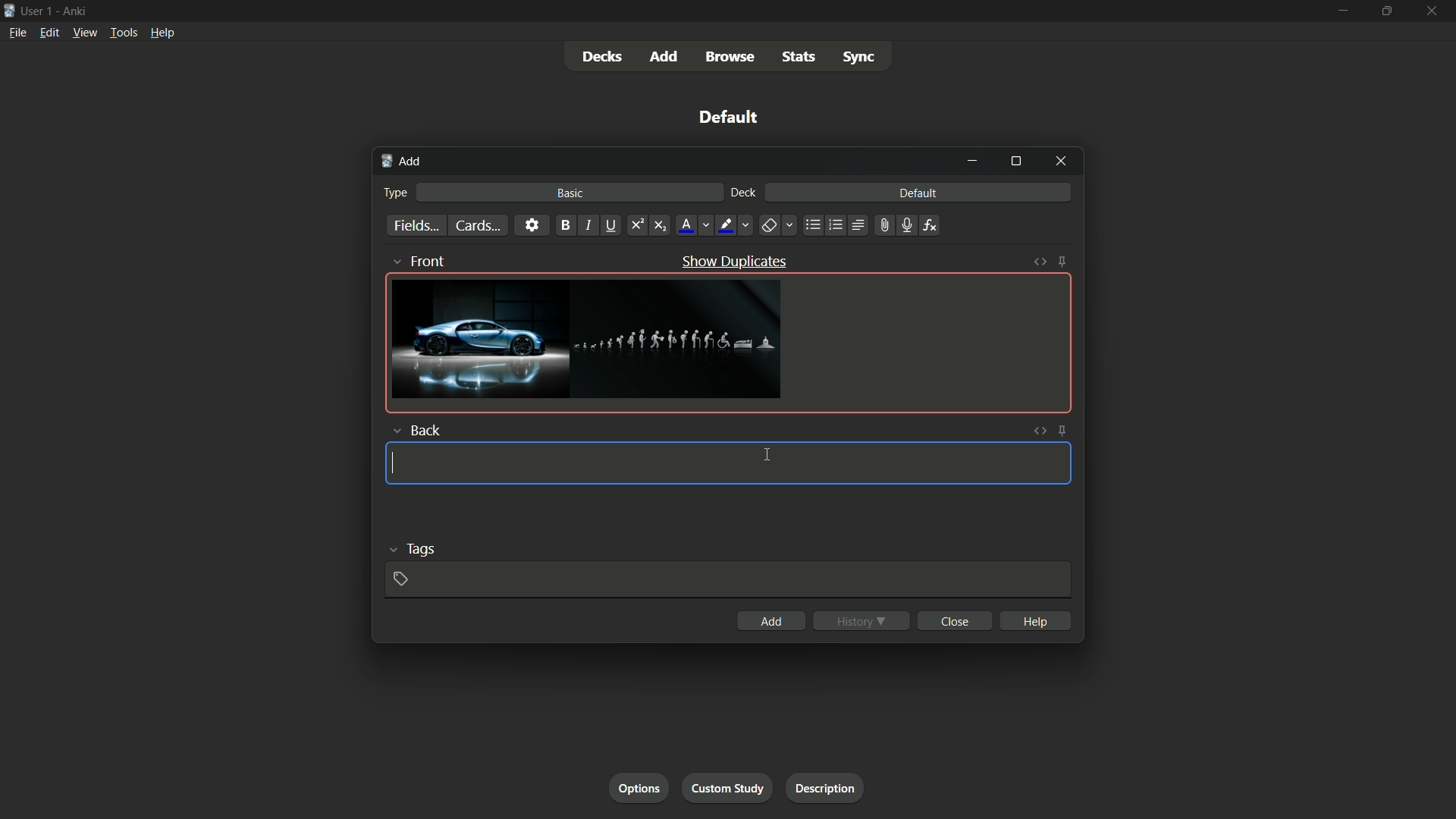  Describe the element at coordinates (396, 192) in the screenshot. I see `type` at that location.